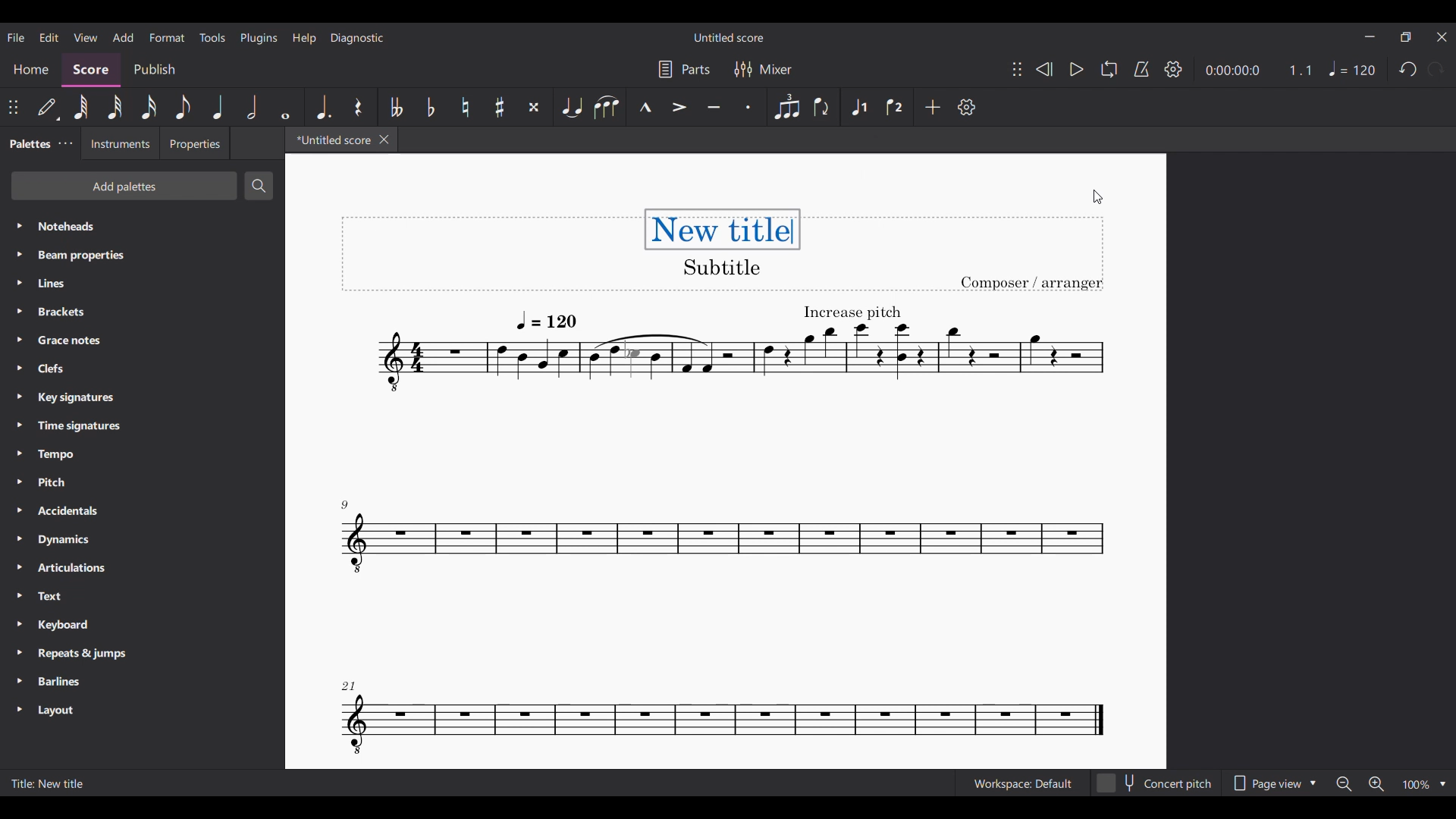 The height and width of the screenshot is (819, 1456). I want to click on Loop playback, so click(1109, 69).